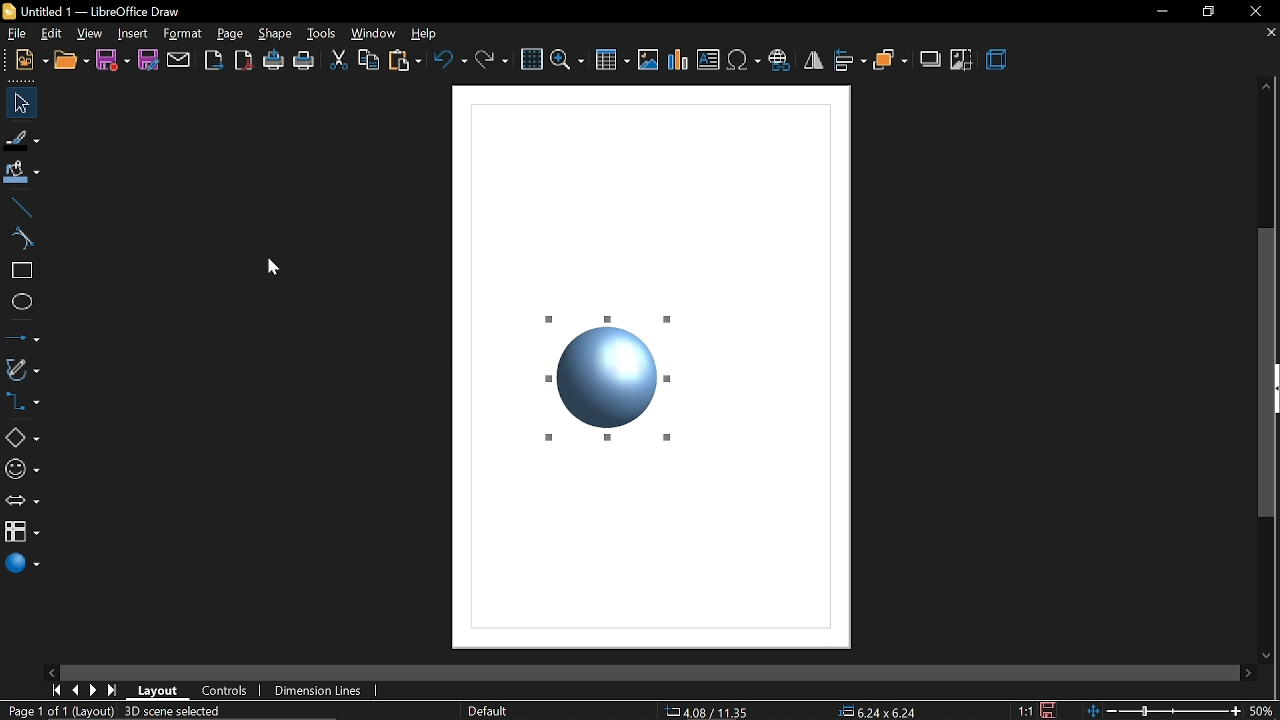  What do you see at coordinates (708, 60) in the screenshot?
I see `insert text` at bounding box center [708, 60].